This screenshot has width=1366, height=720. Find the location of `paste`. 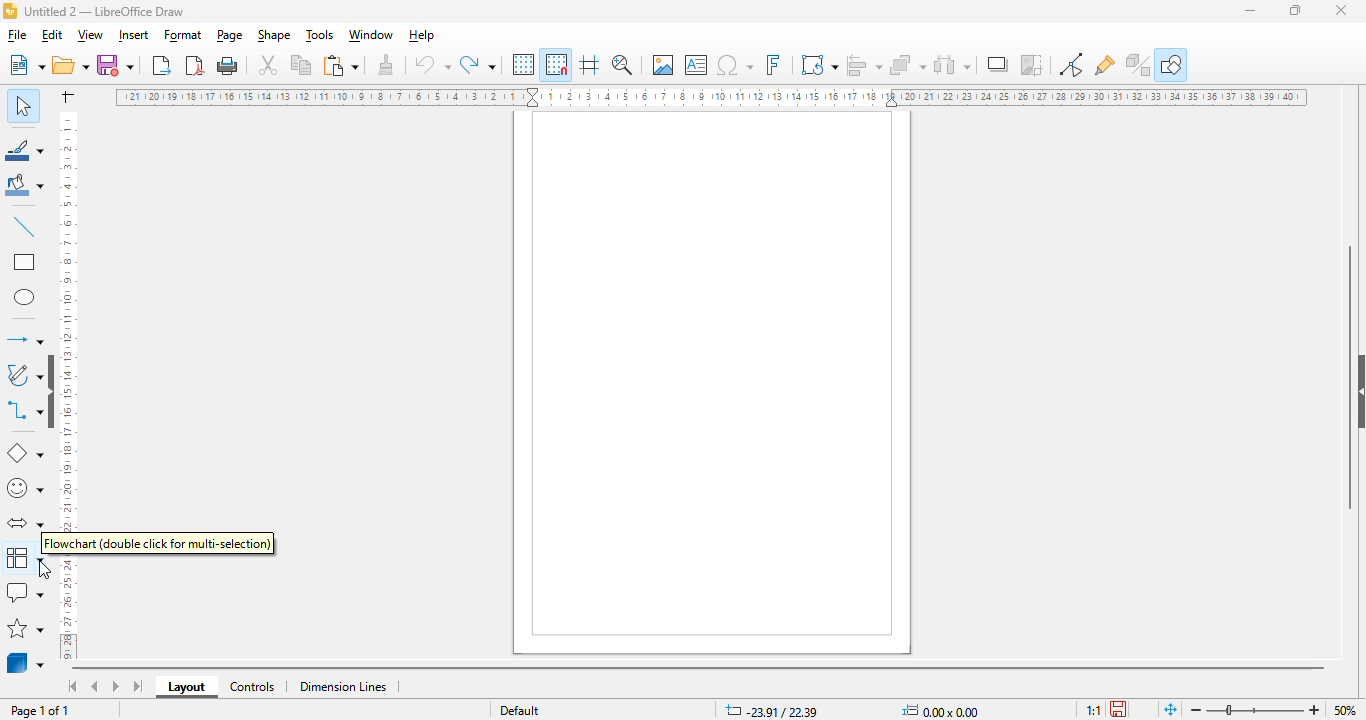

paste is located at coordinates (341, 65).